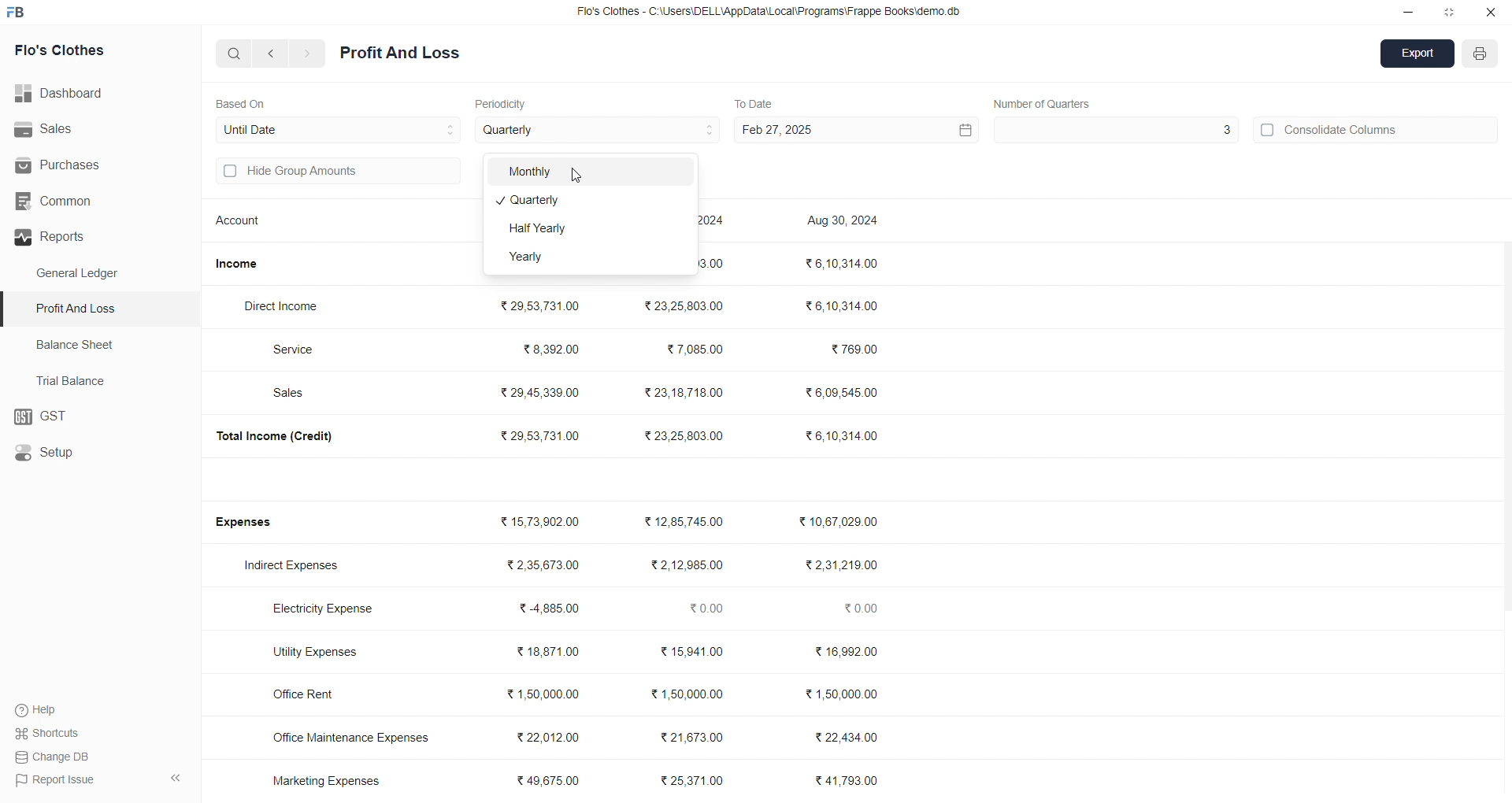 The height and width of the screenshot is (803, 1512). I want to click on Based On, so click(244, 102).